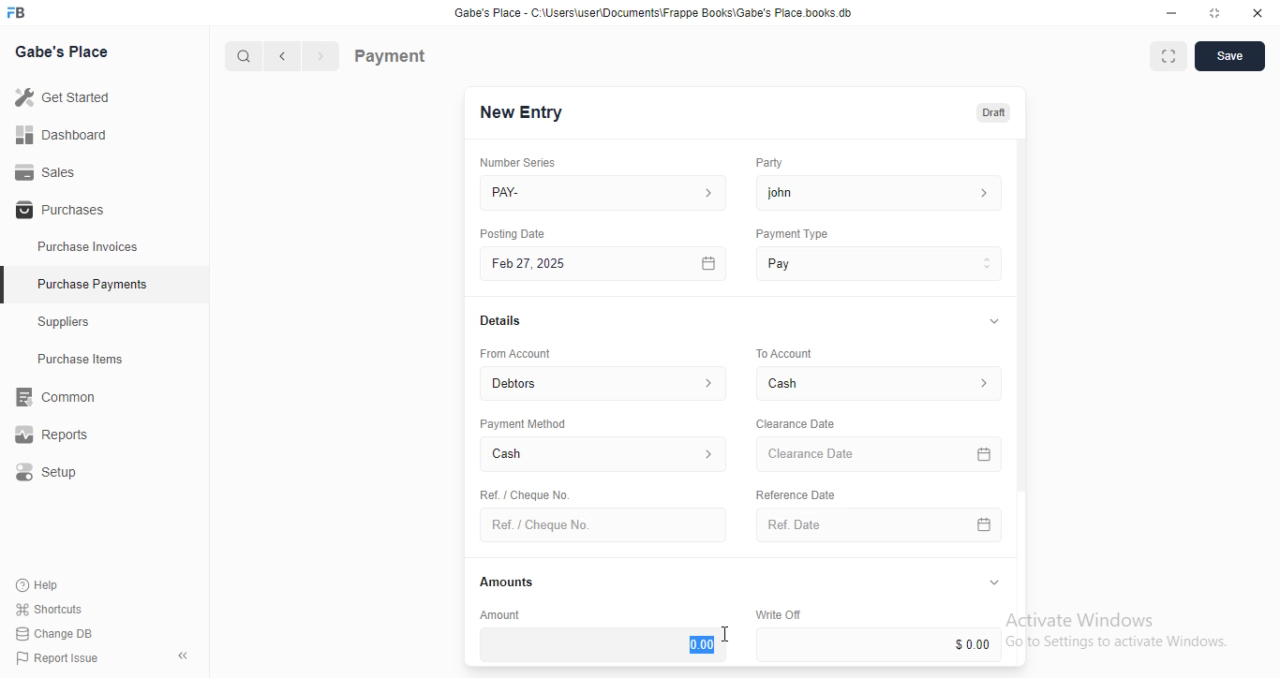 The height and width of the screenshot is (678, 1280). What do you see at coordinates (498, 321) in the screenshot?
I see `Details` at bounding box center [498, 321].